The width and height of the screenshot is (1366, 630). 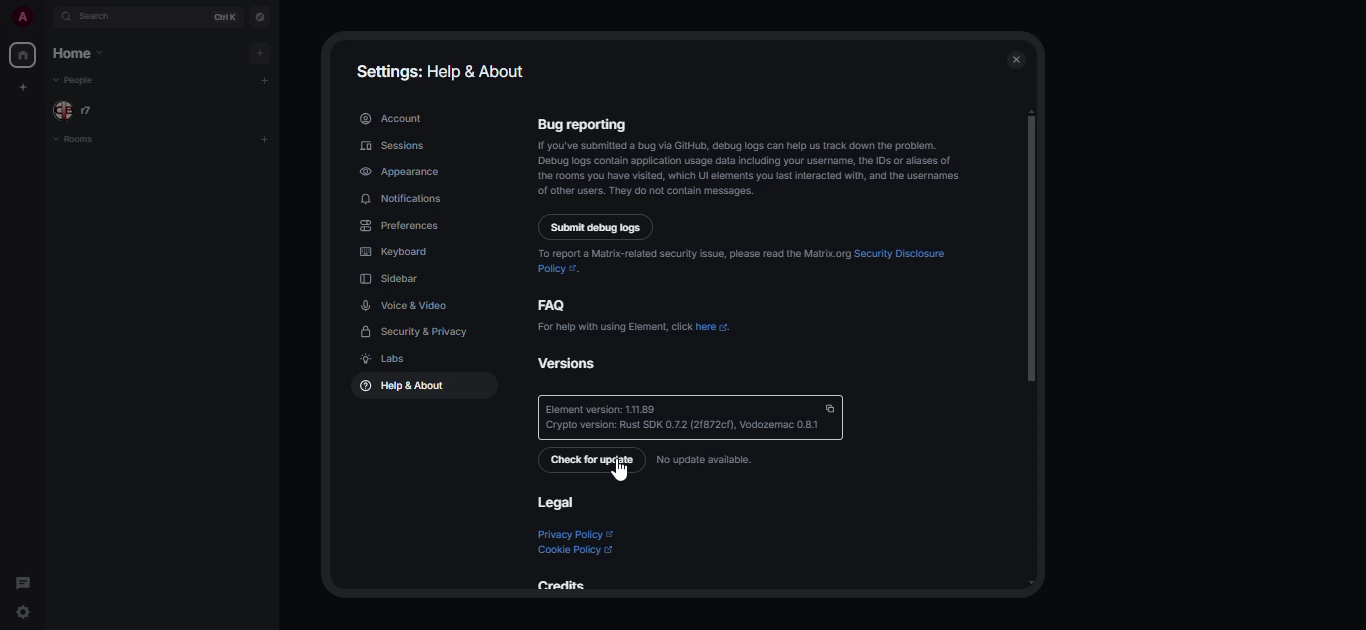 What do you see at coordinates (402, 171) in the screenshot?
I see `appearance` at bounding box center [402, 171].